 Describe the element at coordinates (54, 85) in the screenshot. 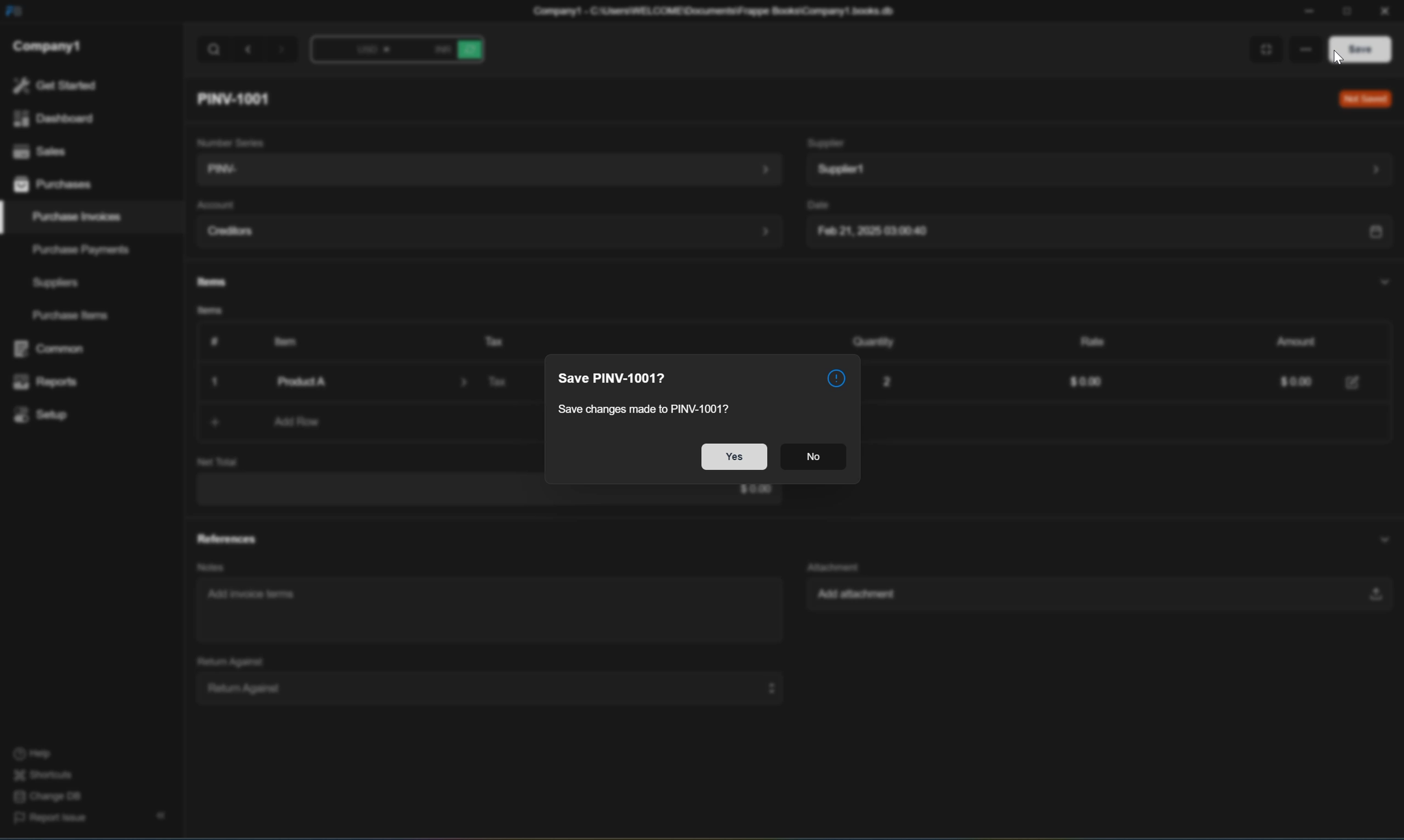

I see `get started` at that location.